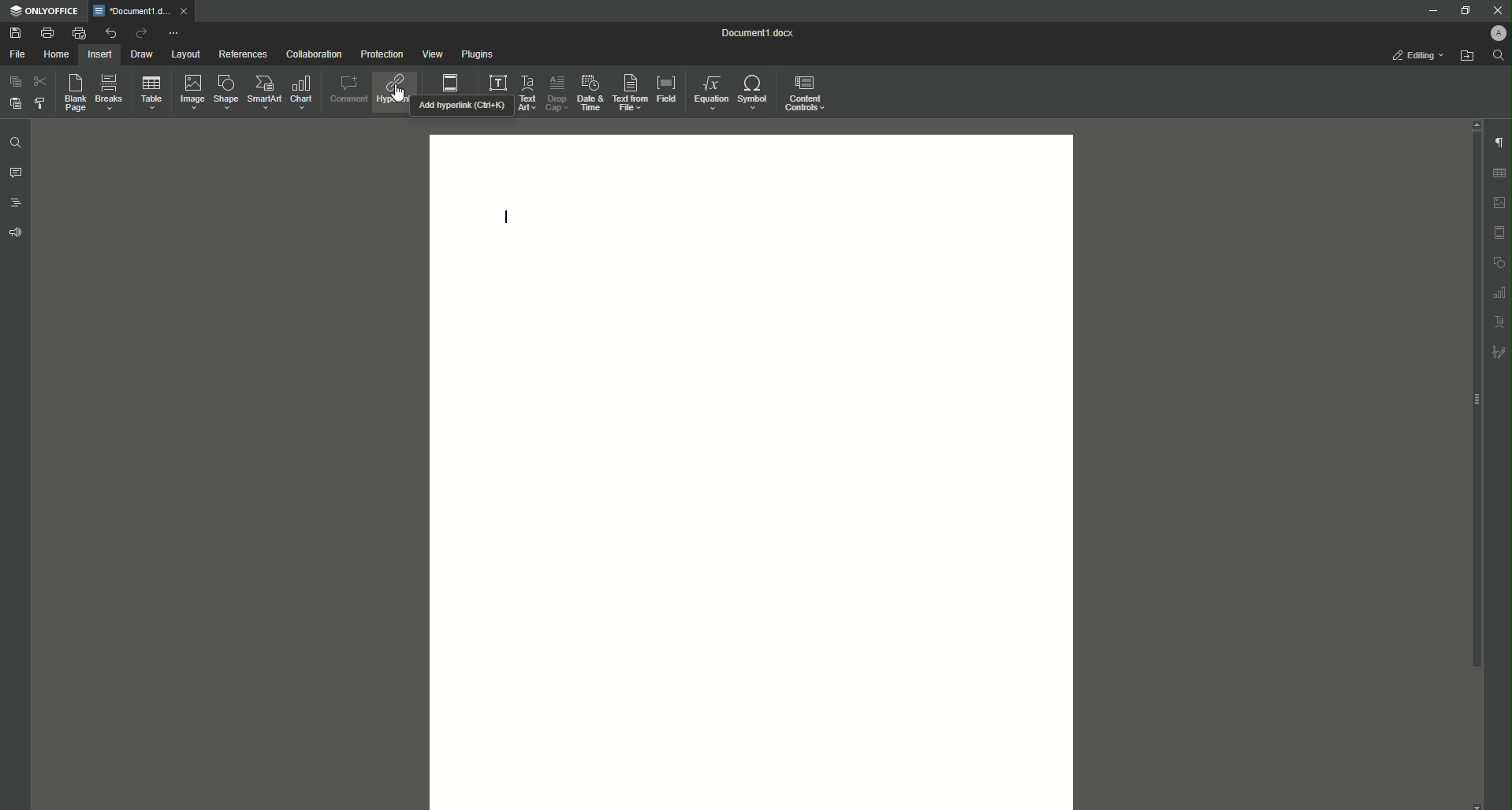  I want to click on File, so click(17, 54).